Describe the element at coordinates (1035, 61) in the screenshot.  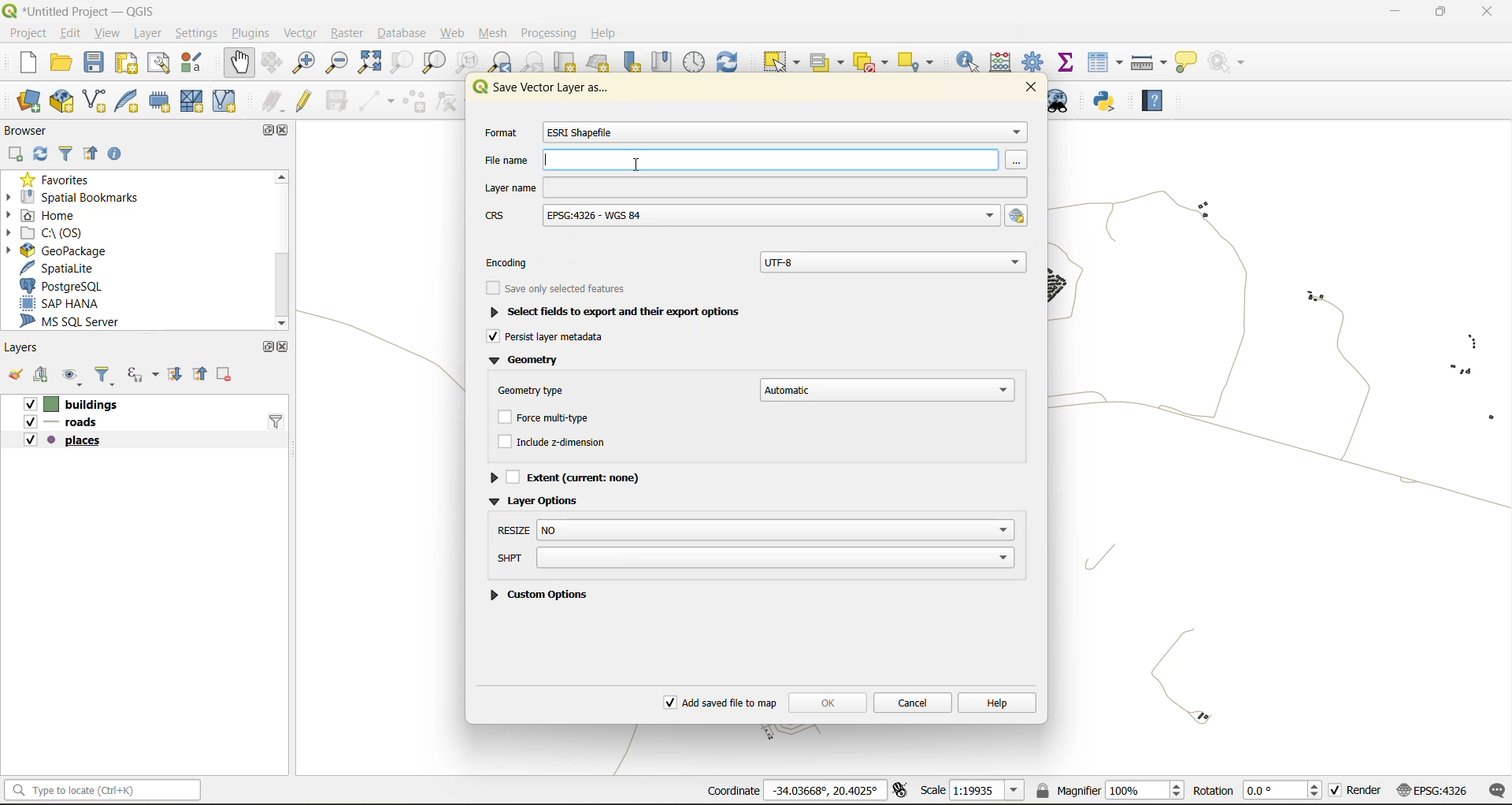
I see `toolbox` at that location.